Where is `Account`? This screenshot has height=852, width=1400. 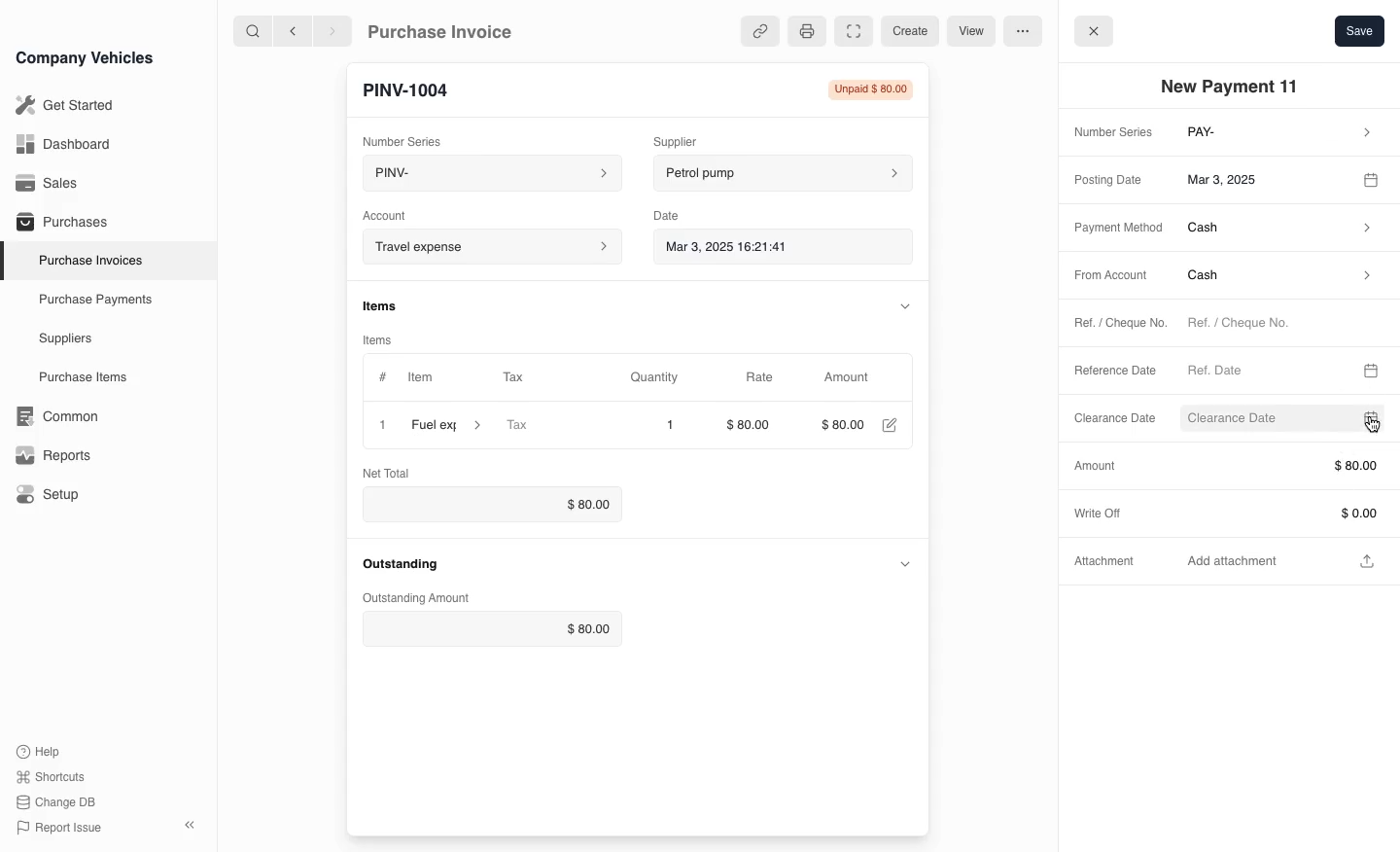
Account is located at coordinates (397, 213).